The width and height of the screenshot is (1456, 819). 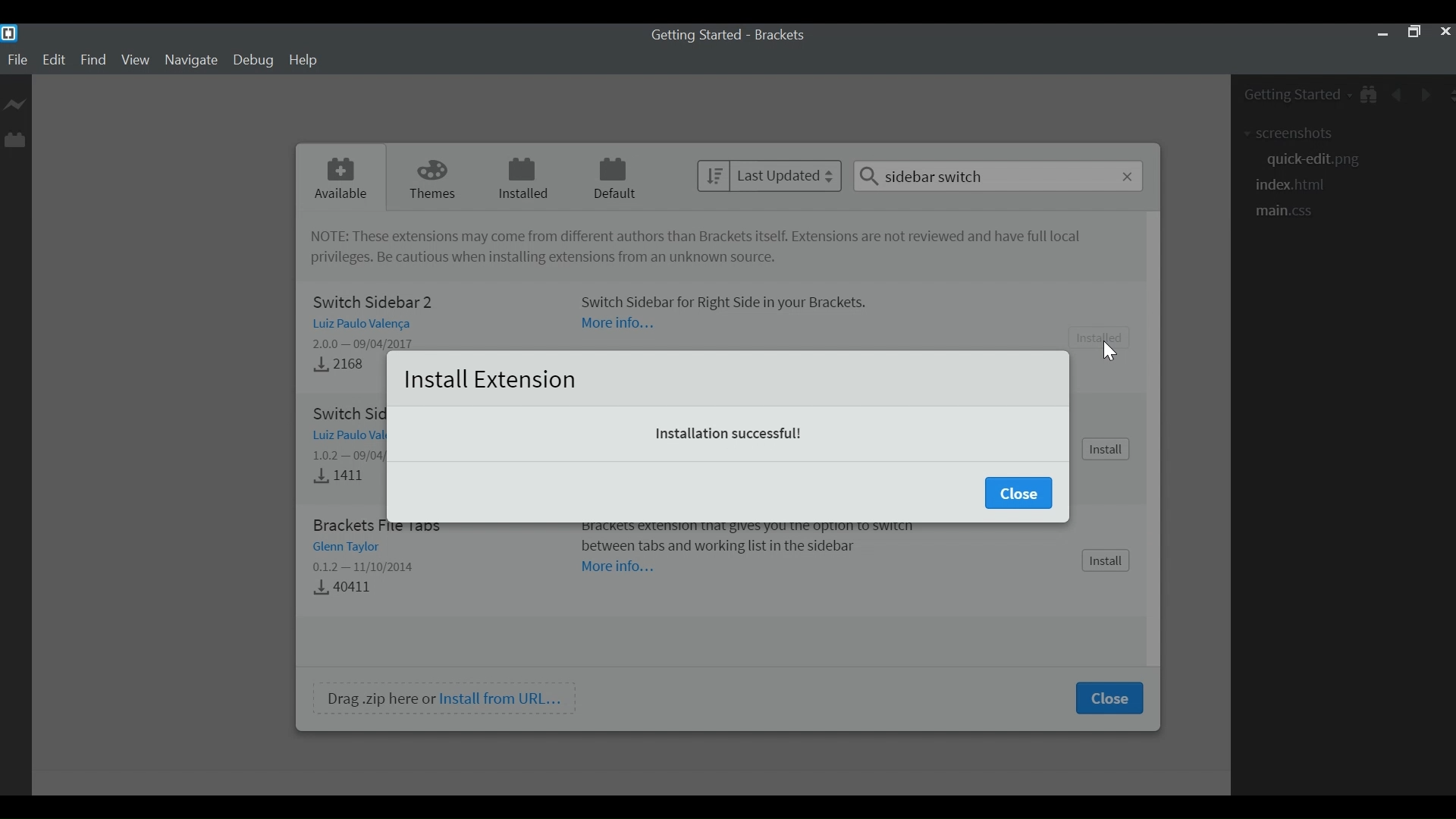 What do you see at coordinates (135, 61) in the screenshot?
I see `View` at bounding box center [135, 61].